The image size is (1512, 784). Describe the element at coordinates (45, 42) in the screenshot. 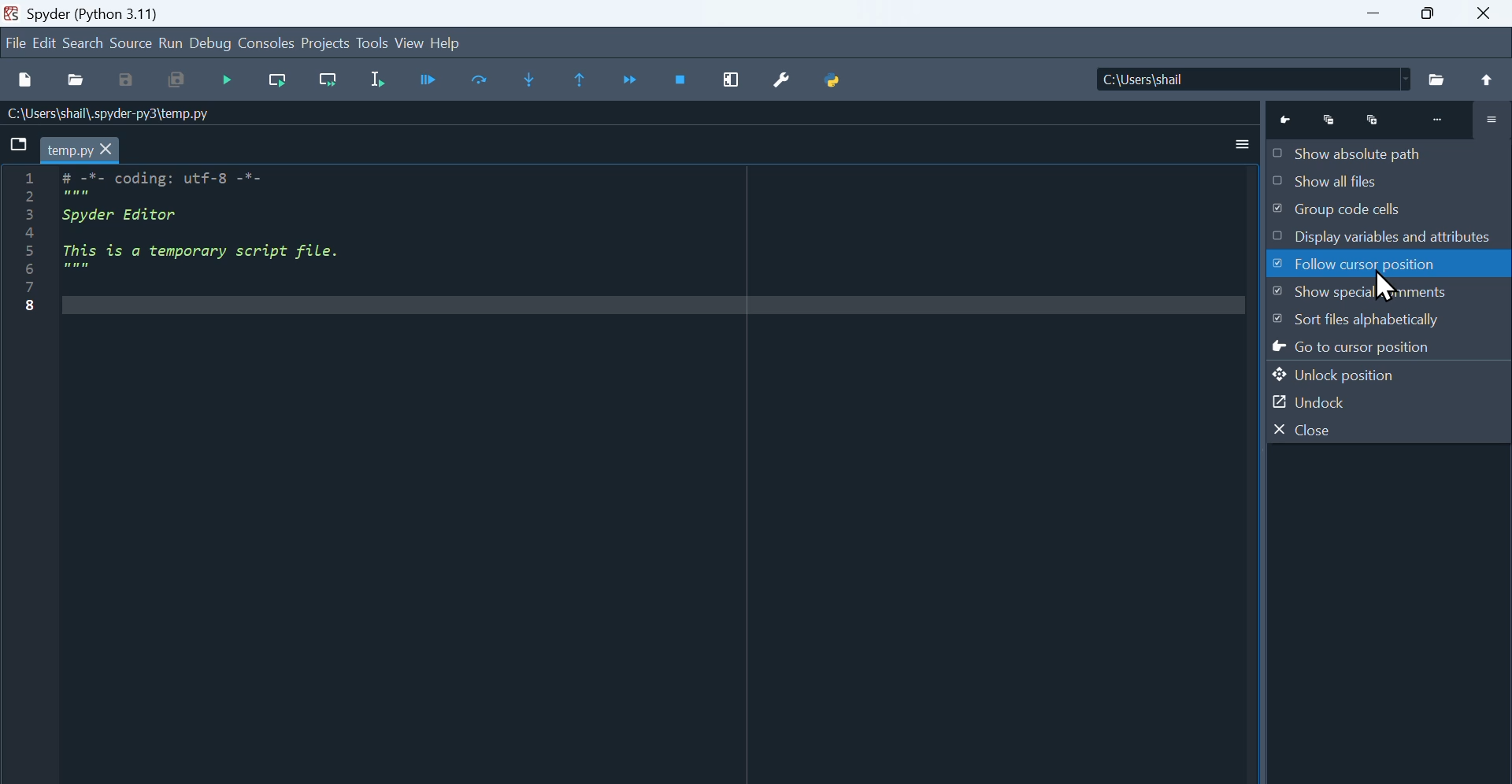

I see `` at that location.